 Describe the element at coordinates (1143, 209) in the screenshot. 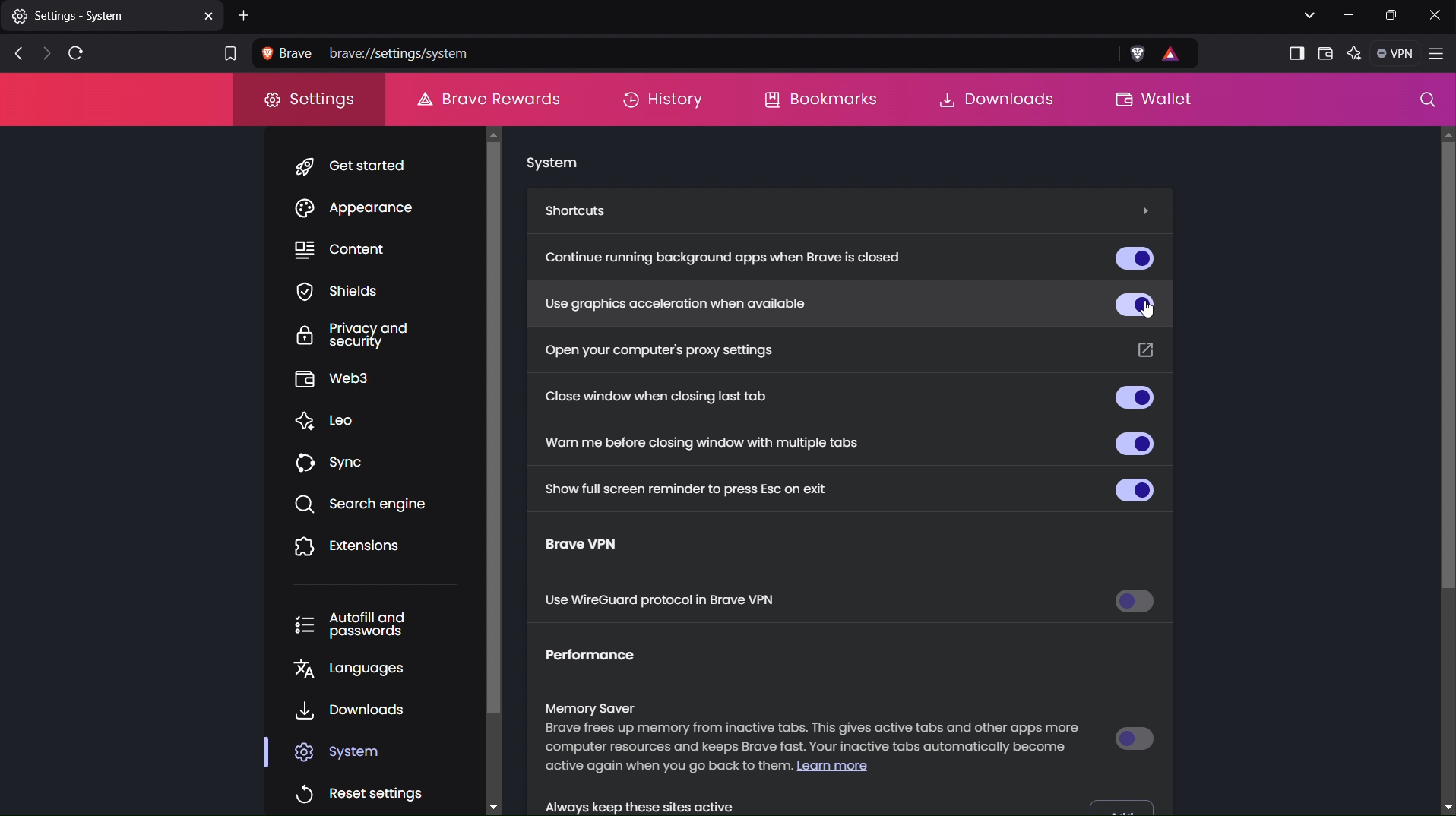

I see `` at that location.